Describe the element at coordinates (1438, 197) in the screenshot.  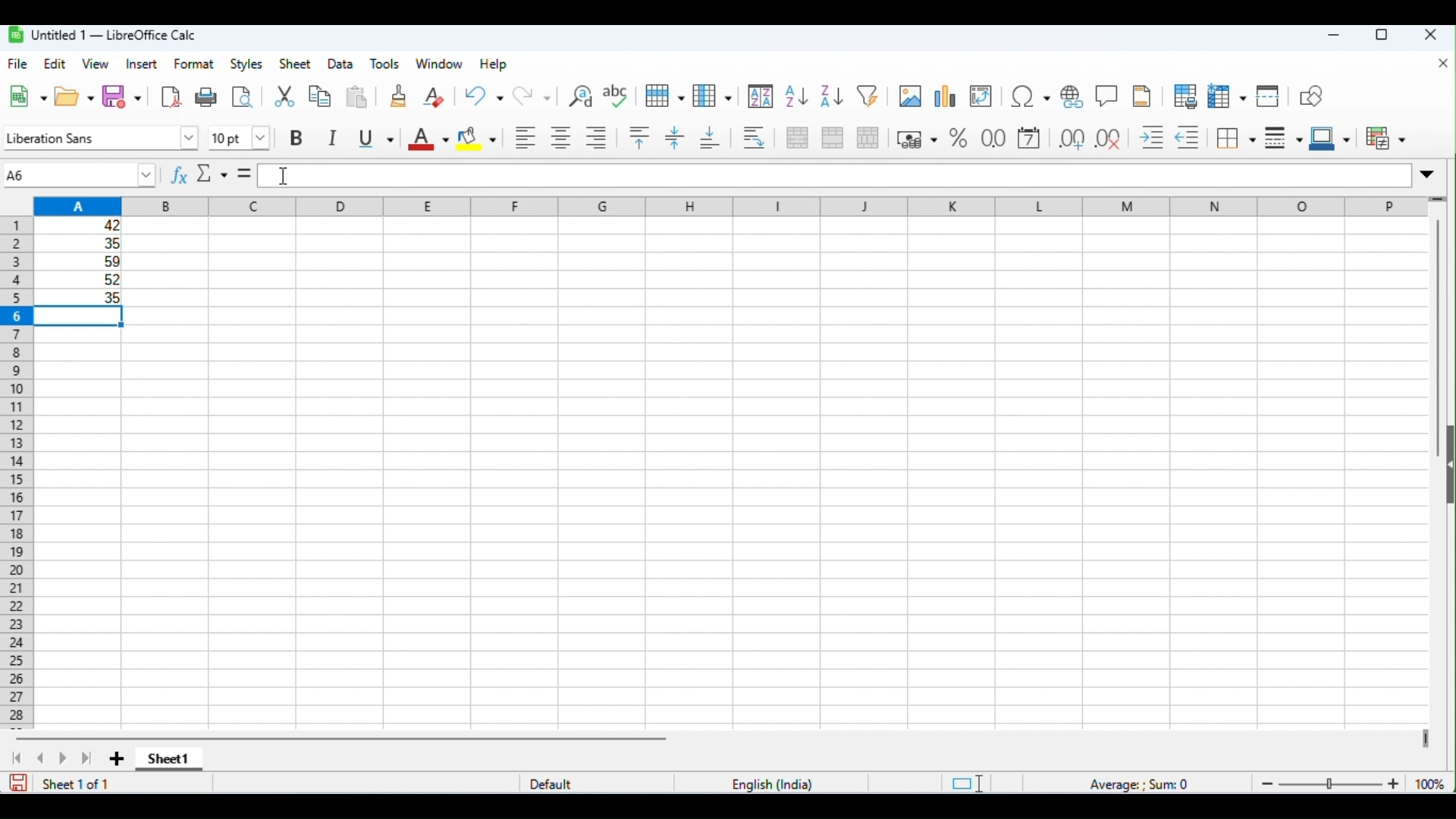
I see `drag to view rows` at that location.